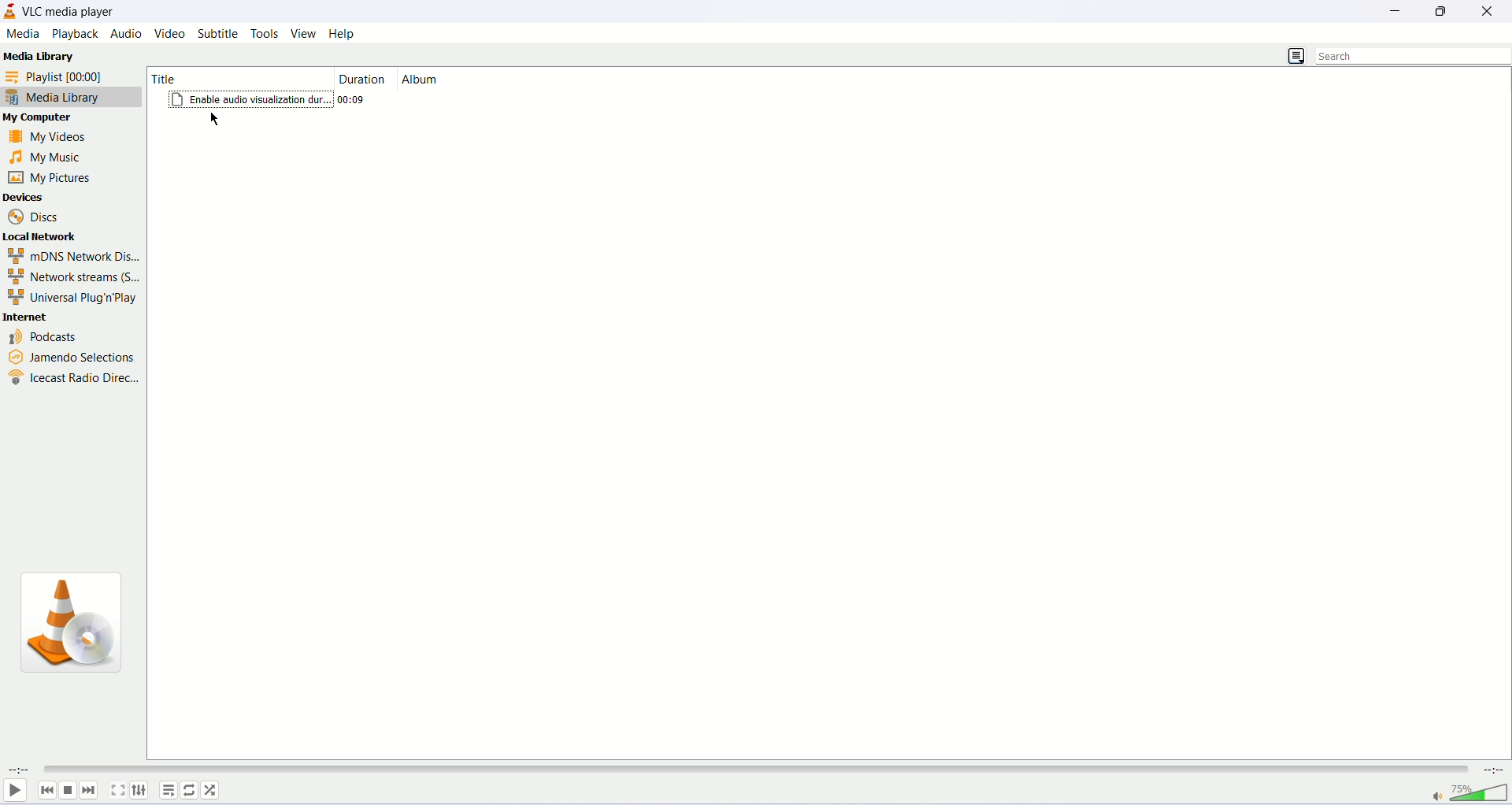 The image size is (1512, 805). Describe the element at coordinates (61, 135) in the screenshot. I see `my videos` at that location.